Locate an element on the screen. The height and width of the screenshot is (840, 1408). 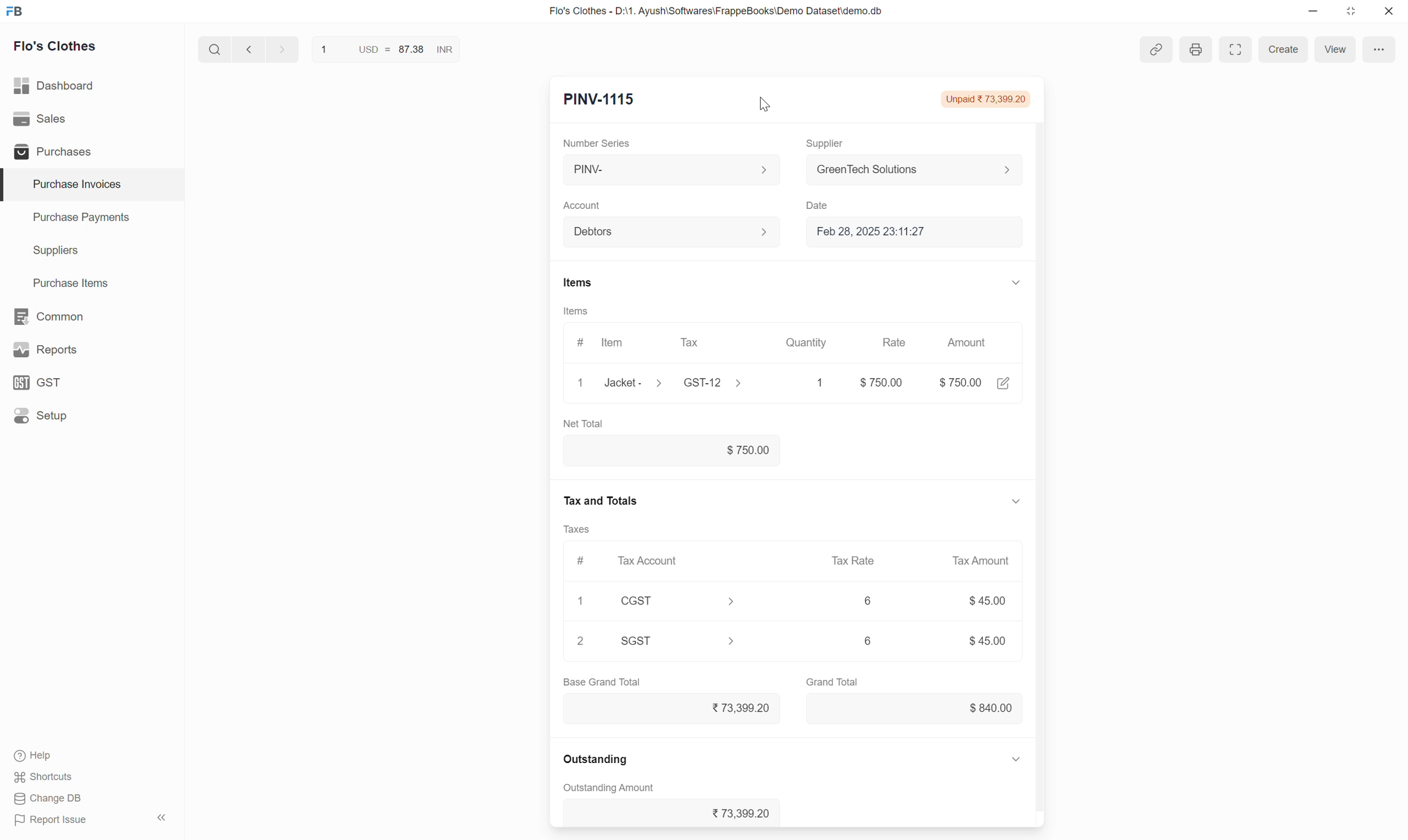
Date is located at coordinates (820, 206).